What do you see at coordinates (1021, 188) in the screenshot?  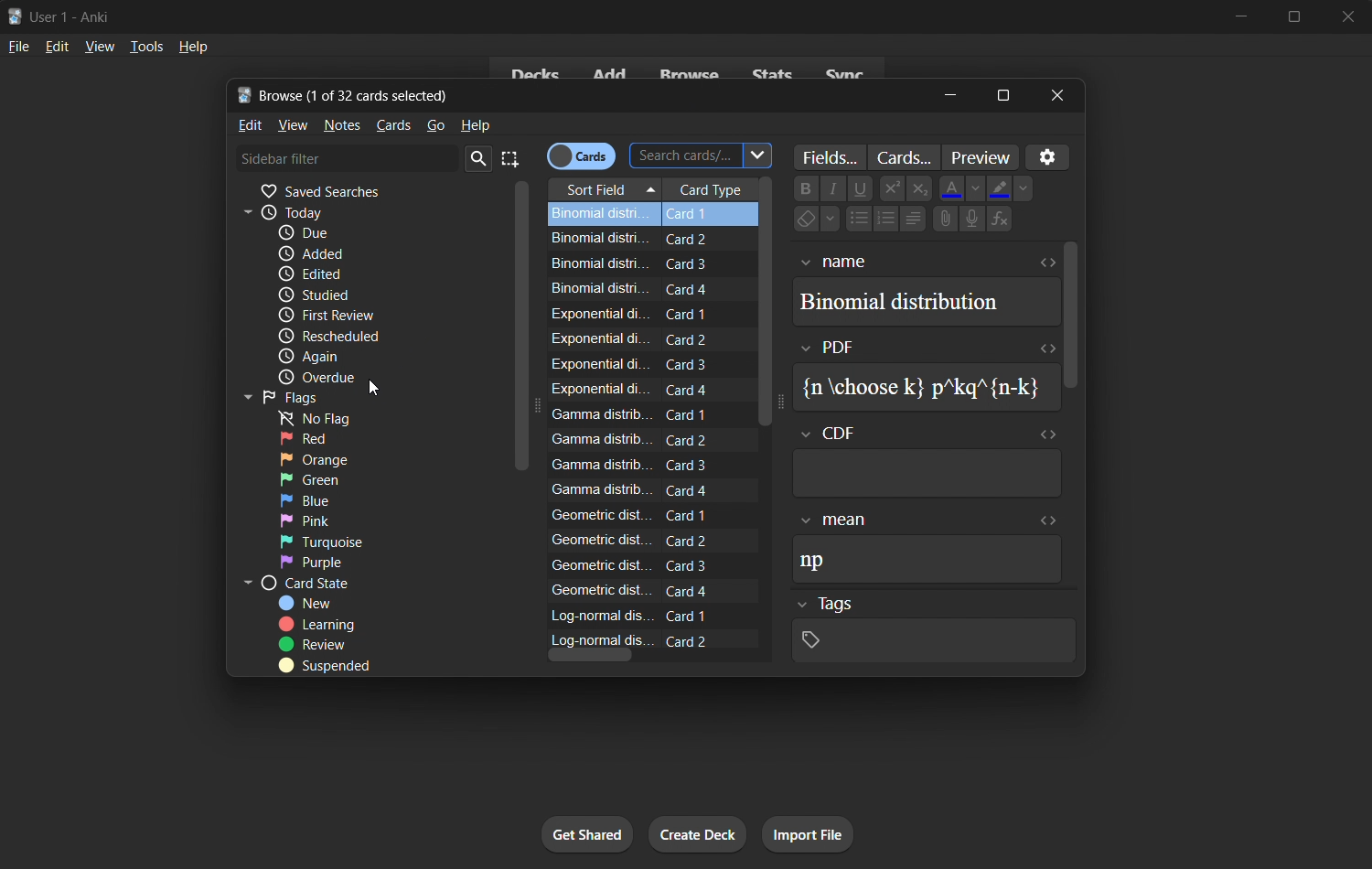 I see `` at bounding box center [1021, 188].